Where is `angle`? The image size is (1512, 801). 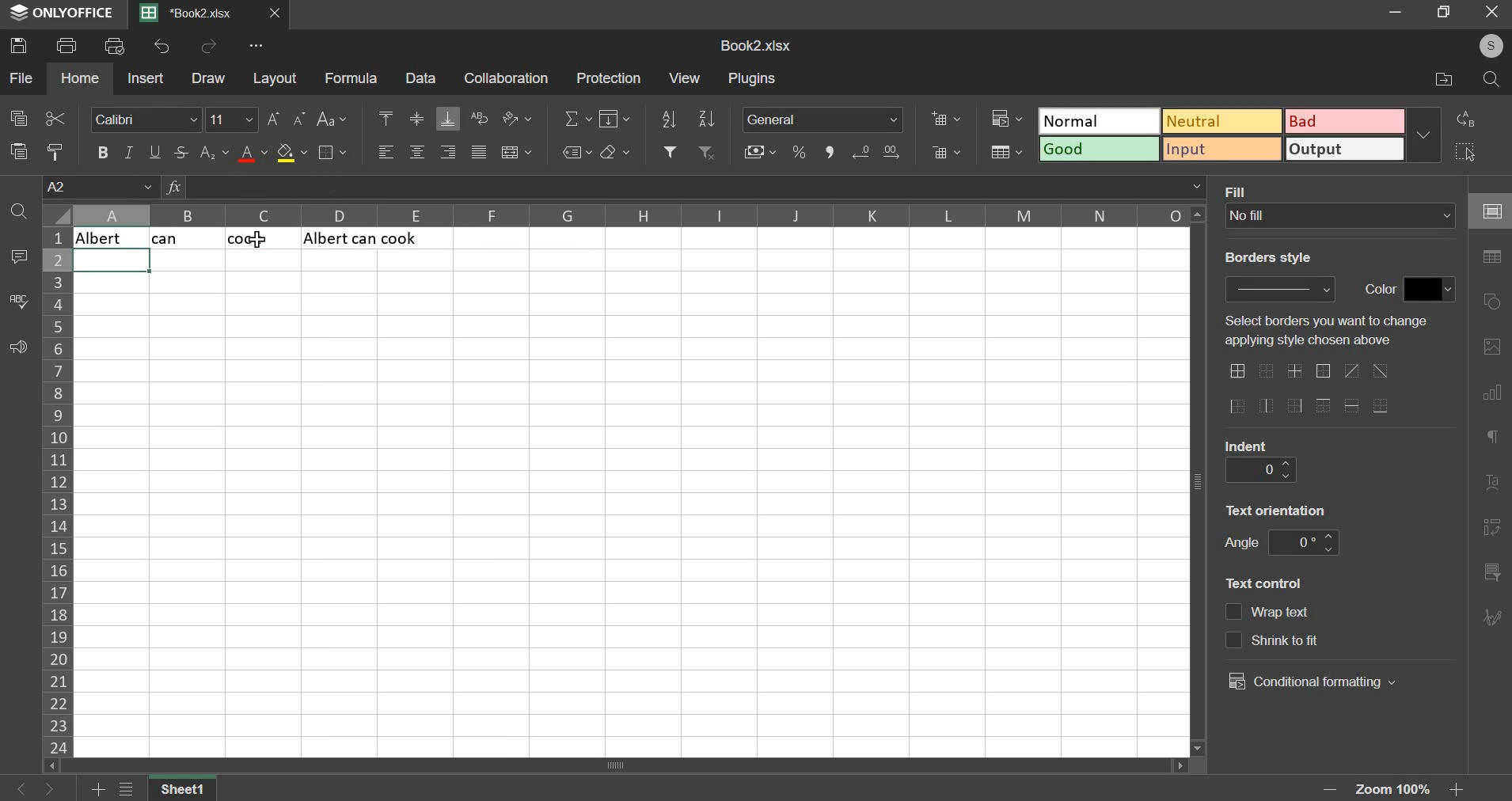 angle is located at coordinates (1305, 541).